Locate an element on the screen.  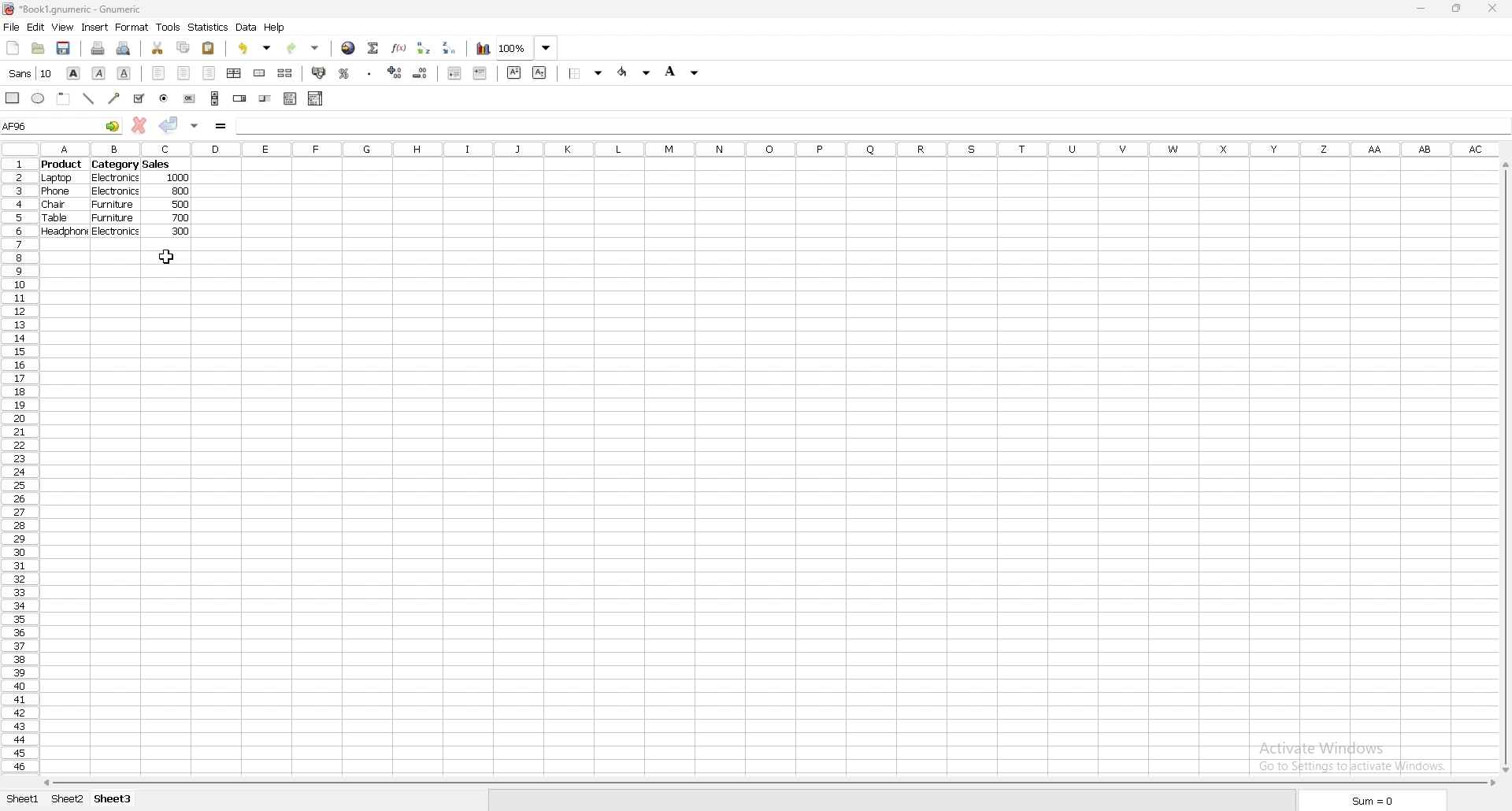
tools is located at coordinates (169, 27).